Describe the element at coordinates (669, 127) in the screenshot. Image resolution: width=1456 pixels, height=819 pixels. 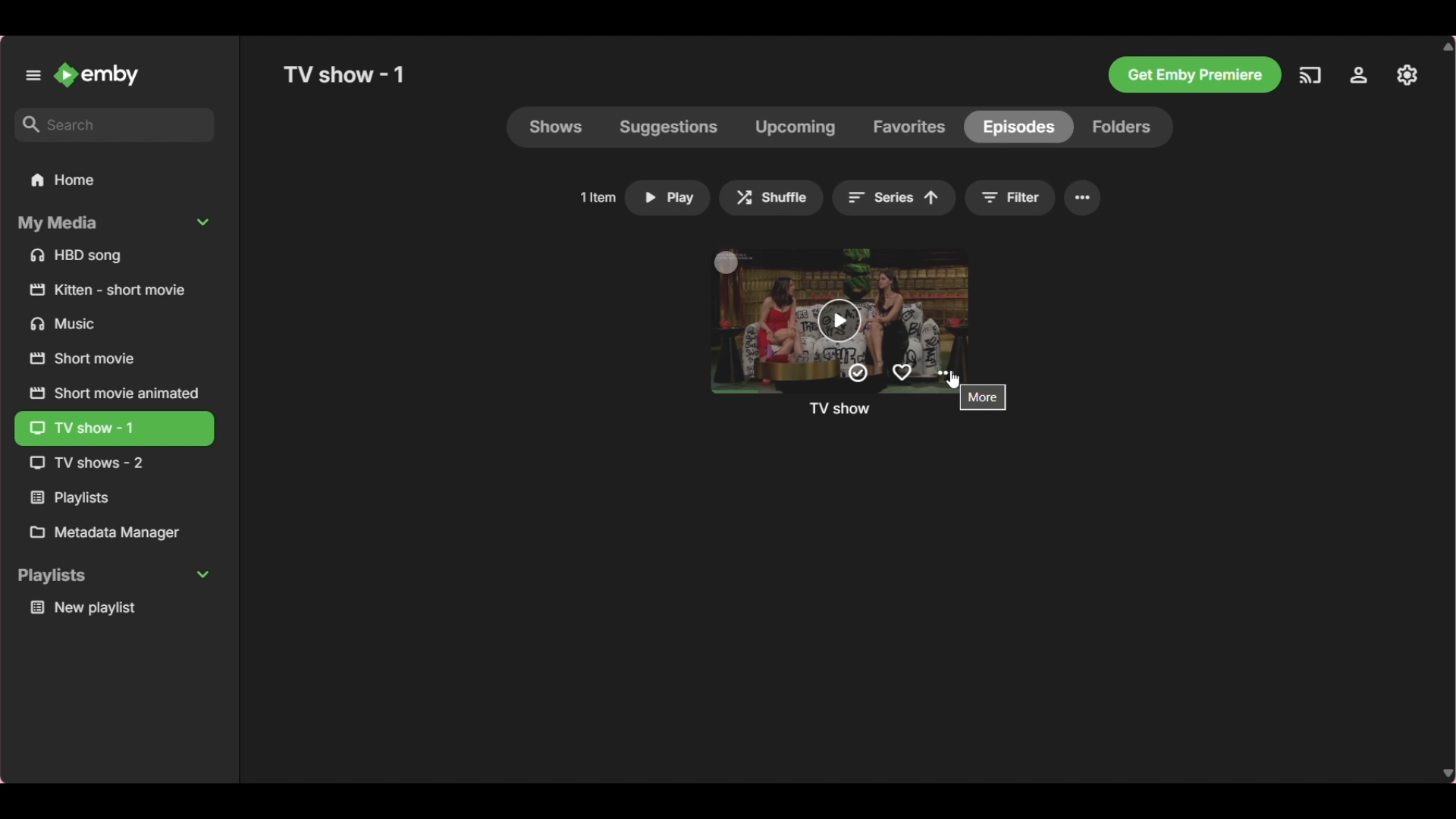
I see `Suggestions` at that location.